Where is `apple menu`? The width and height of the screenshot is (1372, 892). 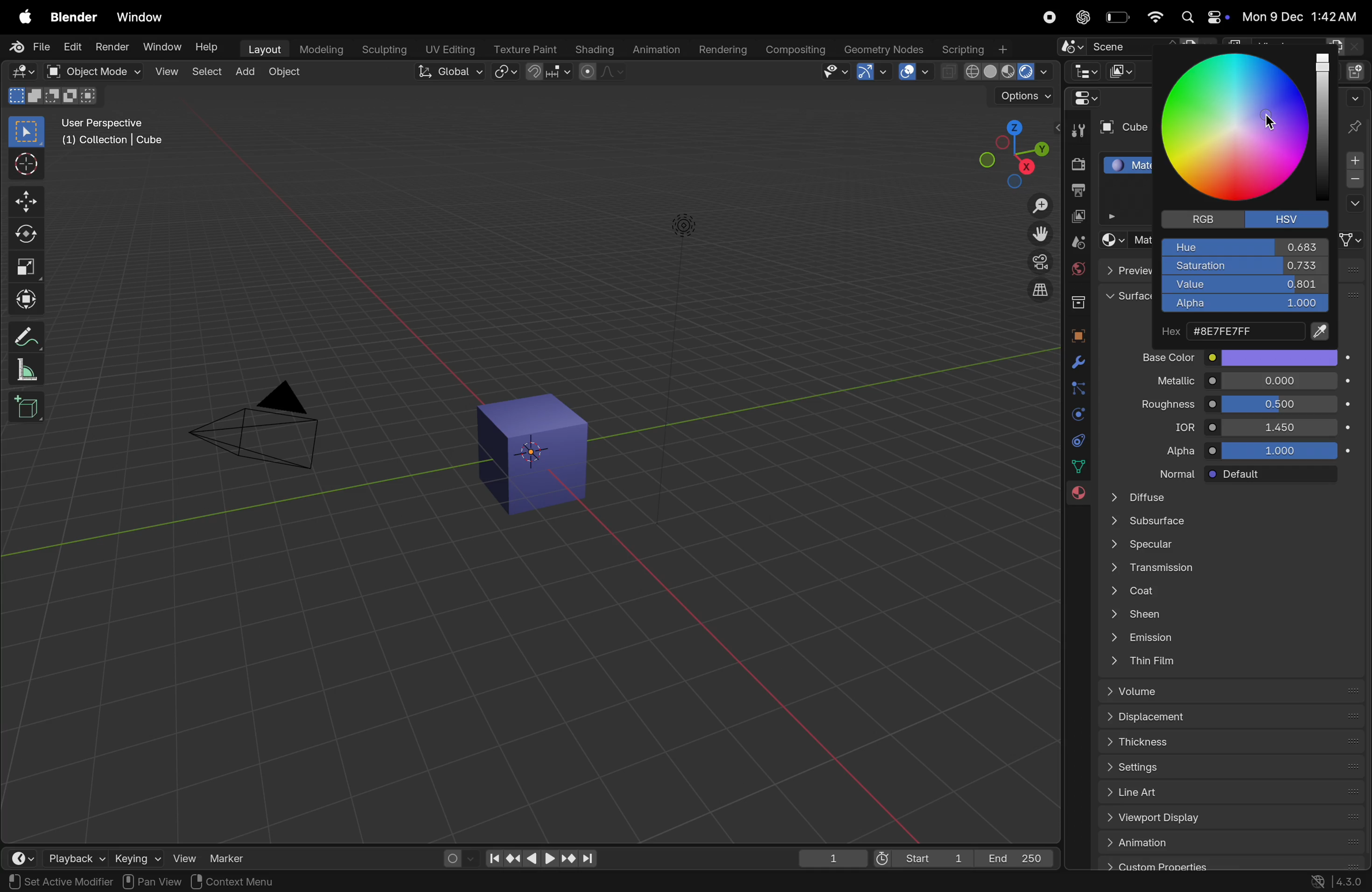
apple menu is located at coordinates (22, 16).